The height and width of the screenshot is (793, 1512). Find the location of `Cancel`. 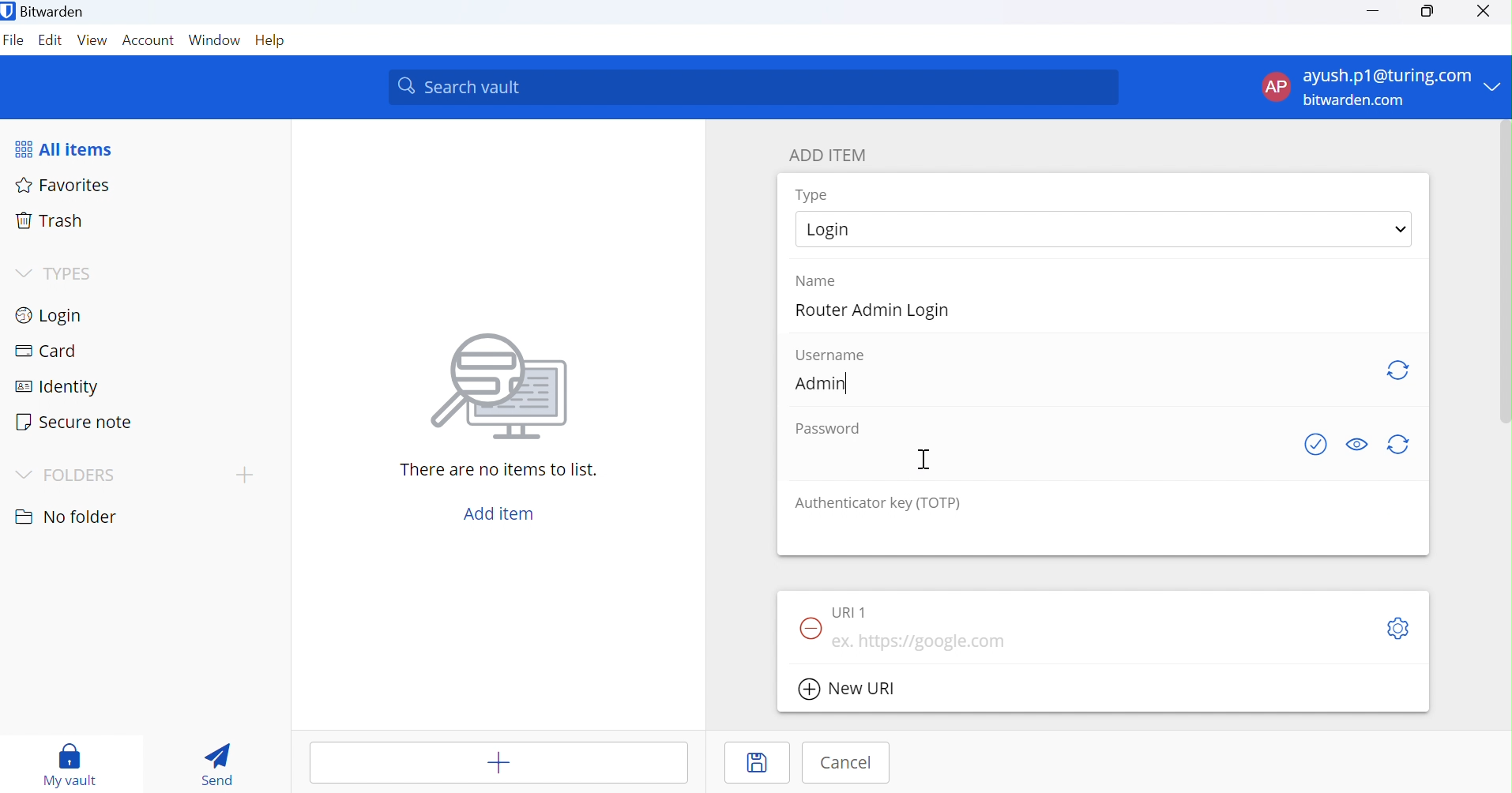

Cancel is located at coordinates (846, 763).